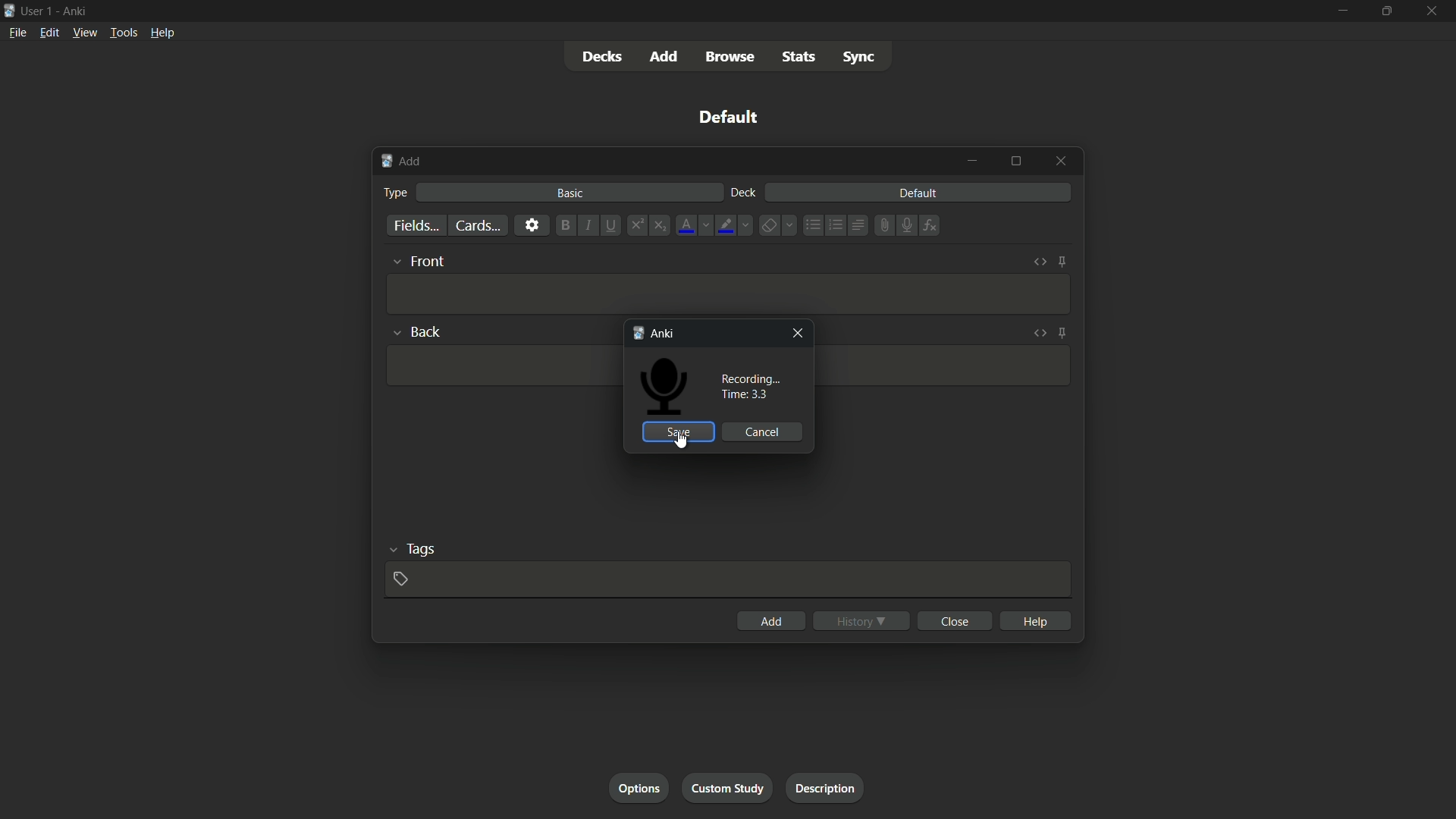 The image size is (1456, 819). Describe the element at coordinates (420, 551) in the screenshot. I see `tags` at that location.